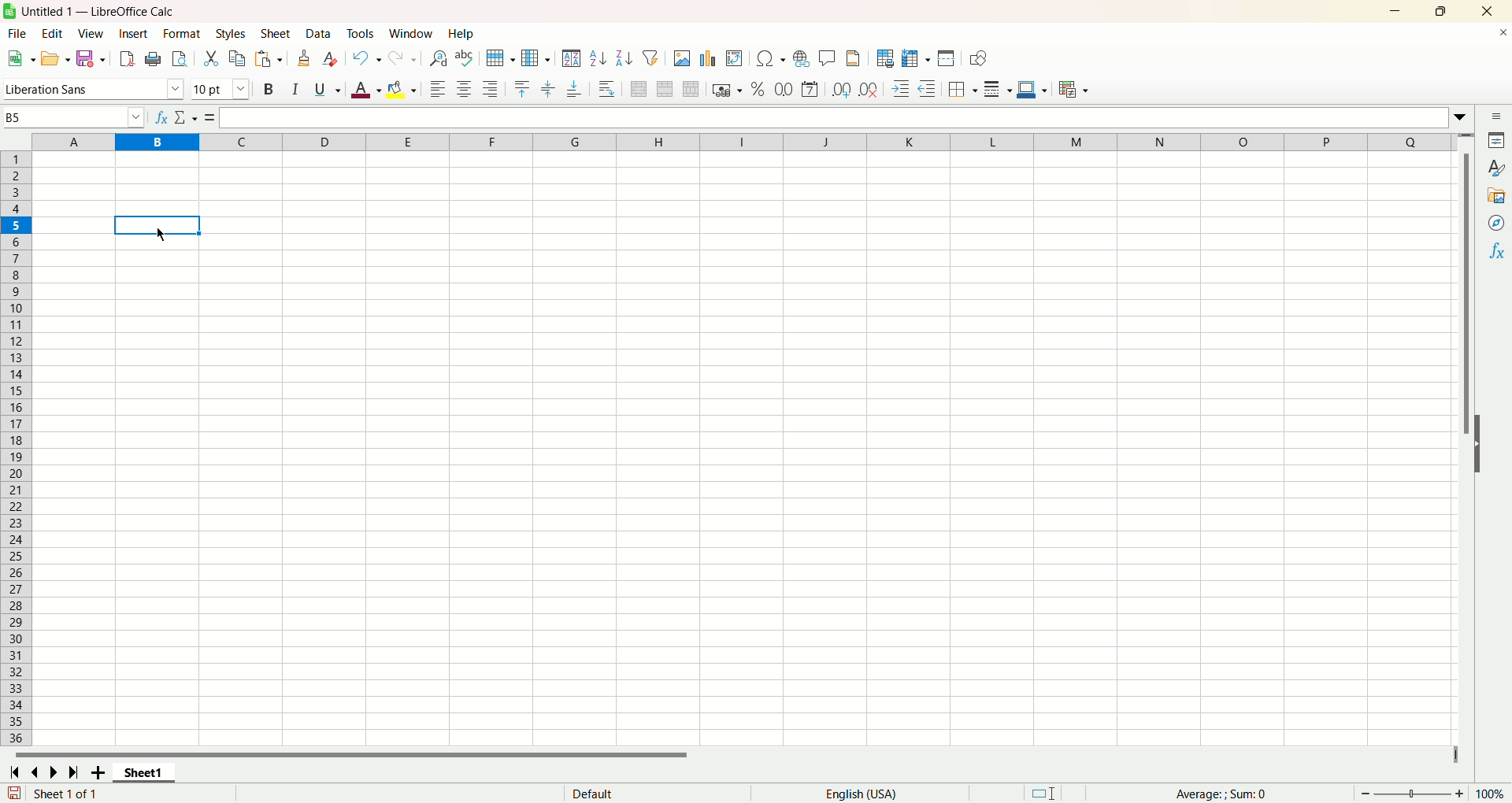 This screenshot has width=1512, height=803. What do you see at coordinates (597, 57) in the screenshot?
I see `sort ascending` at bounding box center [597, 57].